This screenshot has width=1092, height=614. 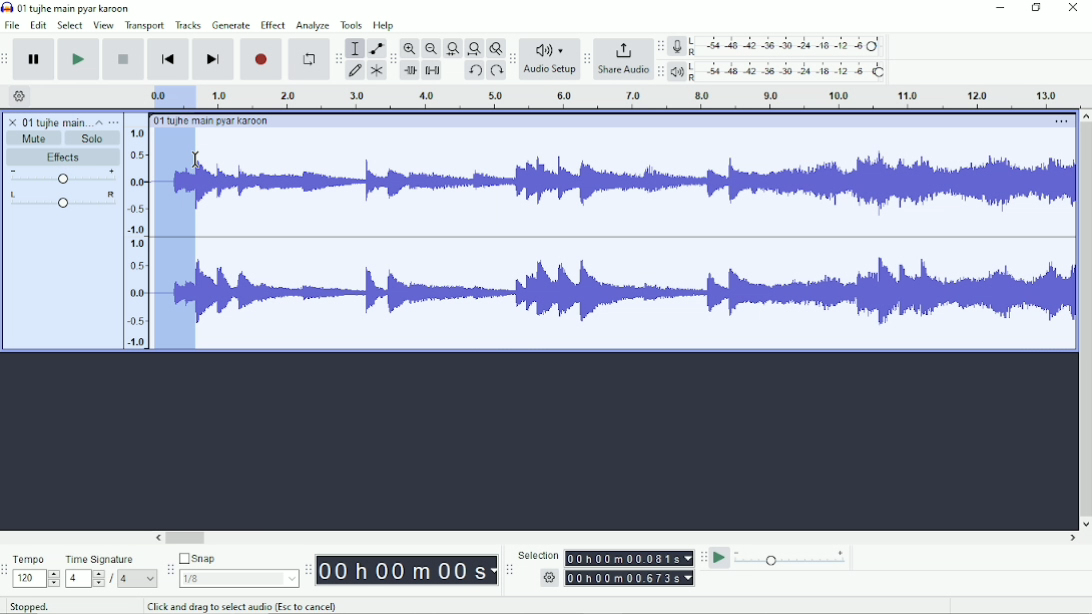 I want to click on Analyze, so click(x=312, y=27).